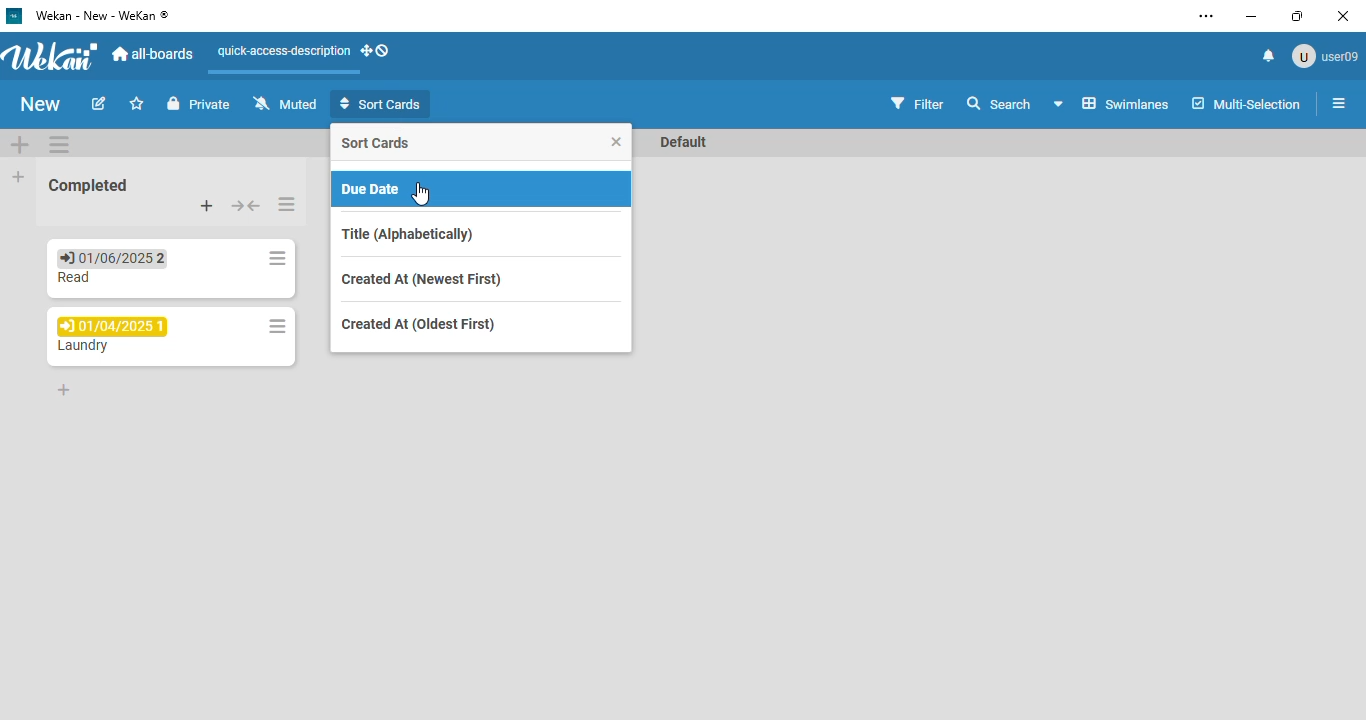 This screenshot has width=1366, height=720. Describe the element at coordinates (420, 193) in the screenshot. I see `cursor` at that location.